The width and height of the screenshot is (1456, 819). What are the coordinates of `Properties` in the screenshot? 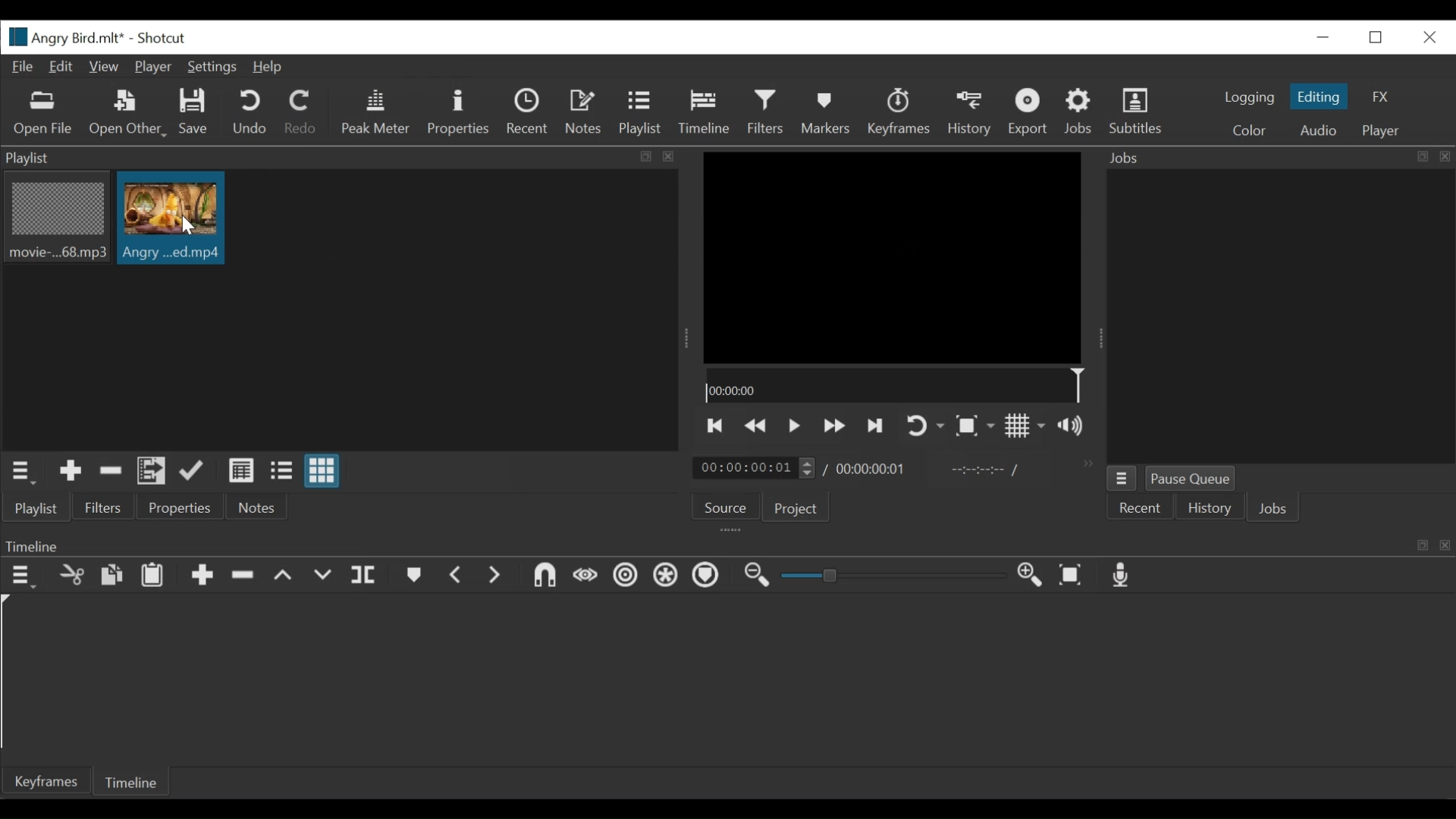 It's located at (178, 507).